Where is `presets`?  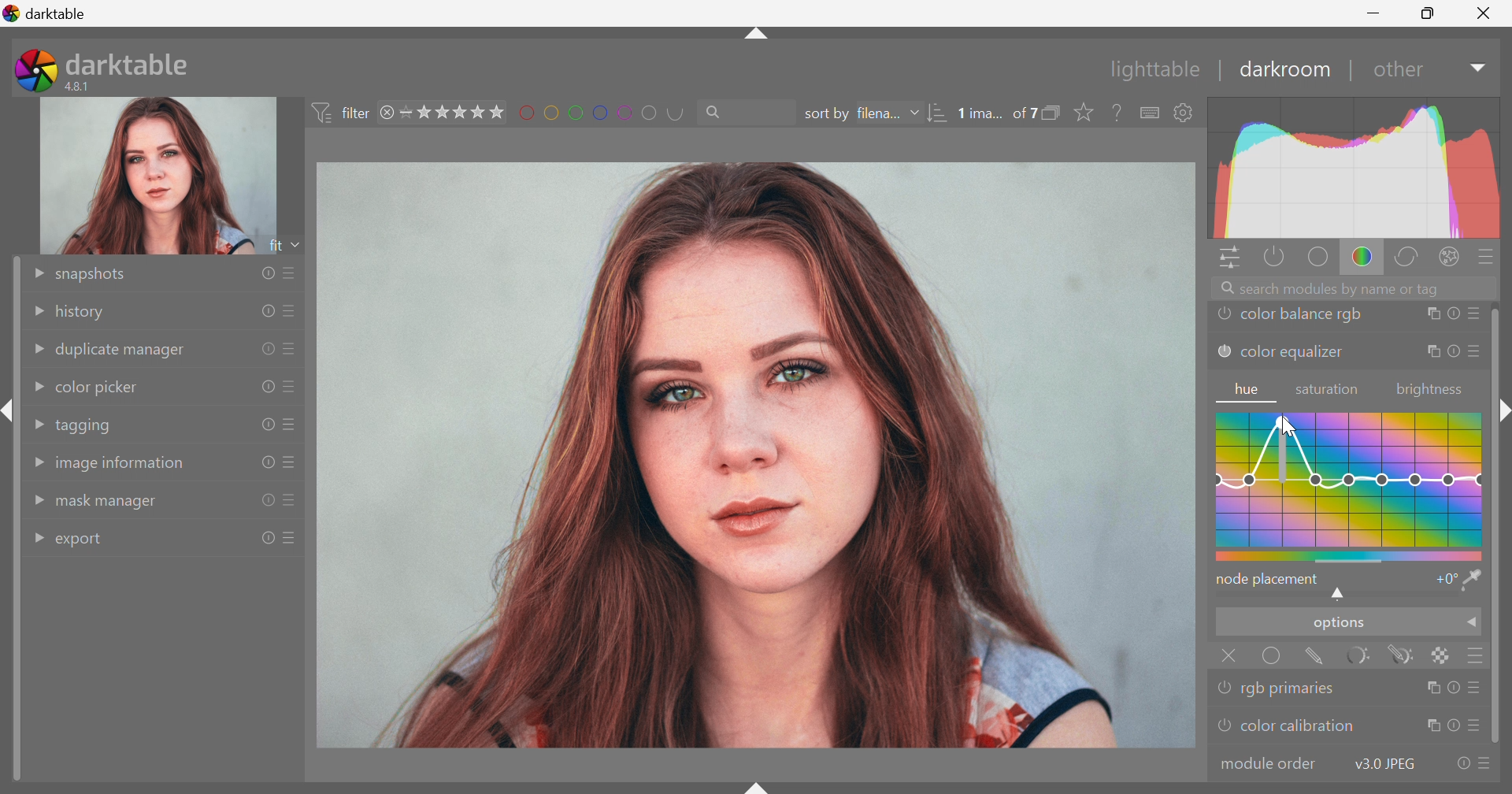 presets is located at coordinates (291, 463).